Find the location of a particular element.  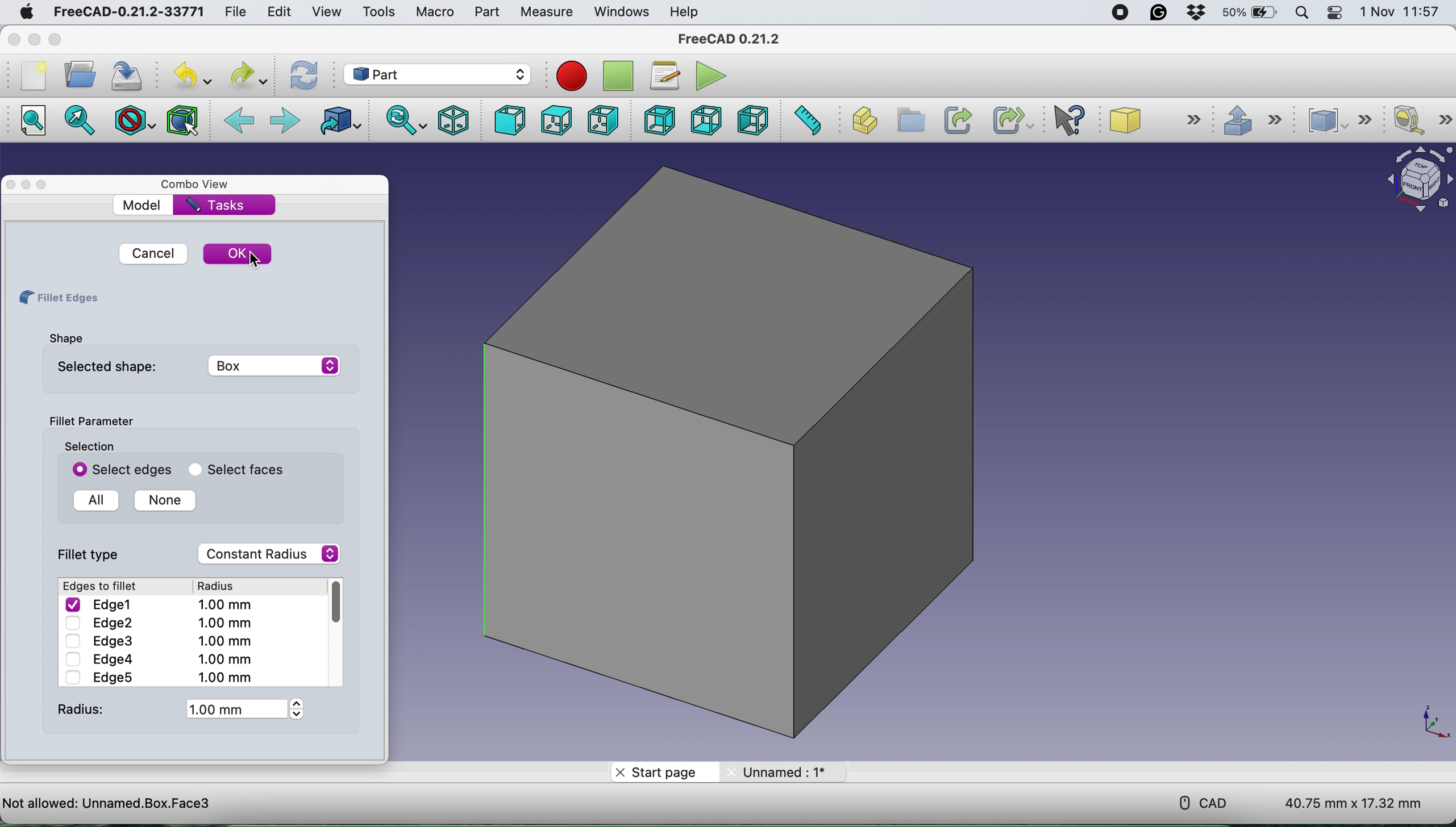

Selected faces is located at coordinates (232, 470).